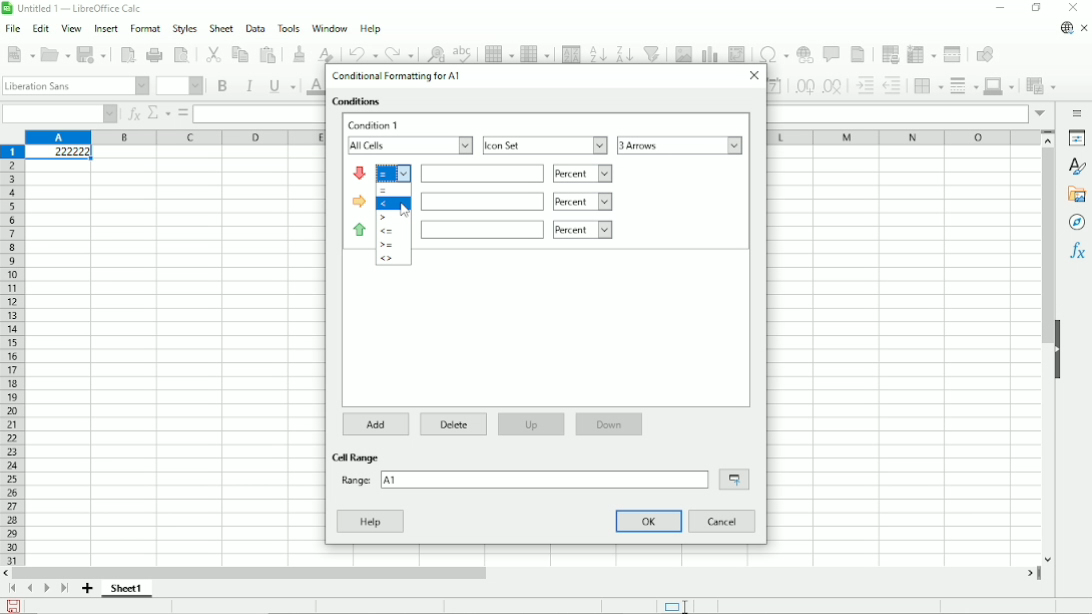  I want to click on 3 arrows, so click(680, 145).